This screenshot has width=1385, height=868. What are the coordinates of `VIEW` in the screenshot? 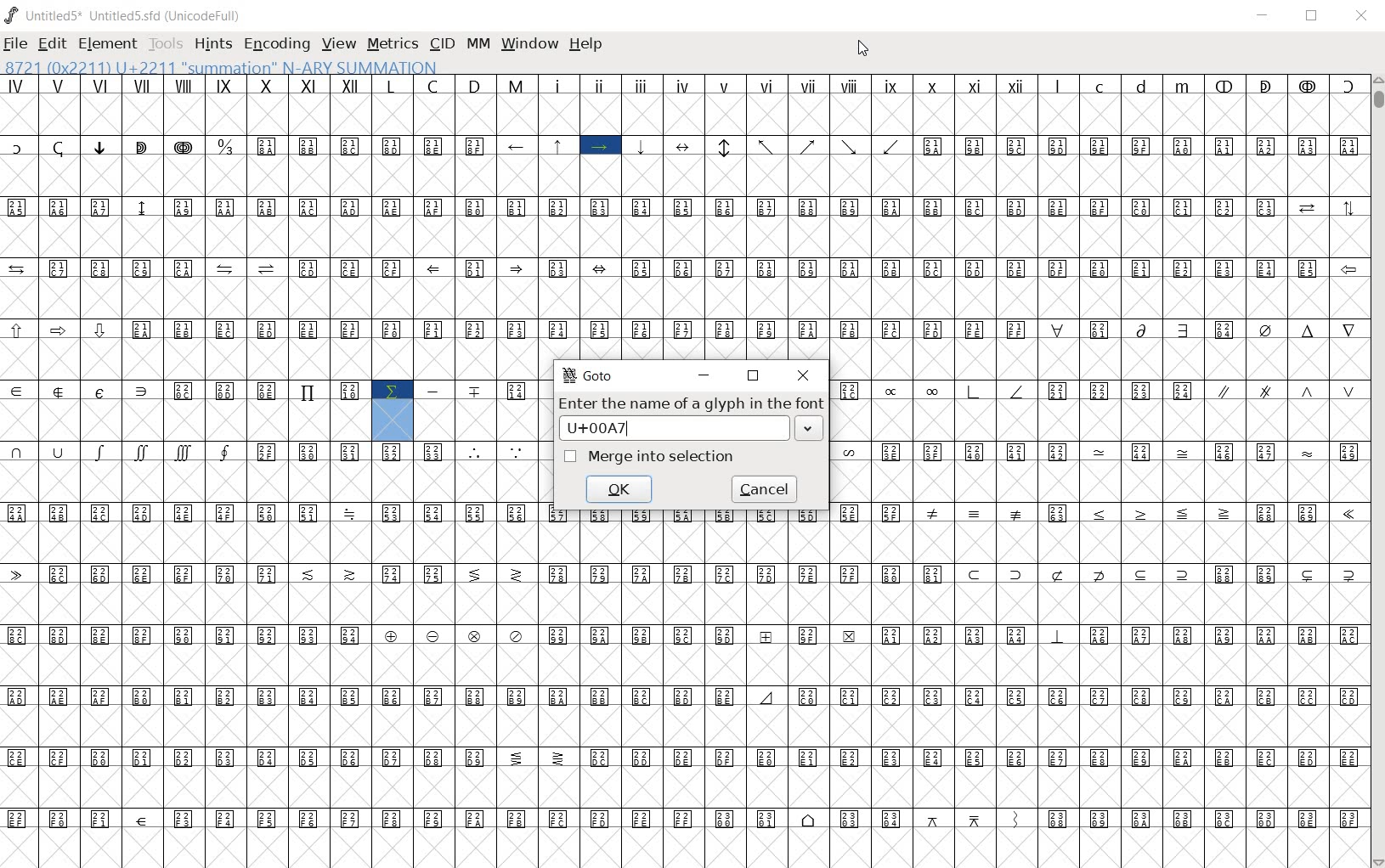 It's located at (339, 45).